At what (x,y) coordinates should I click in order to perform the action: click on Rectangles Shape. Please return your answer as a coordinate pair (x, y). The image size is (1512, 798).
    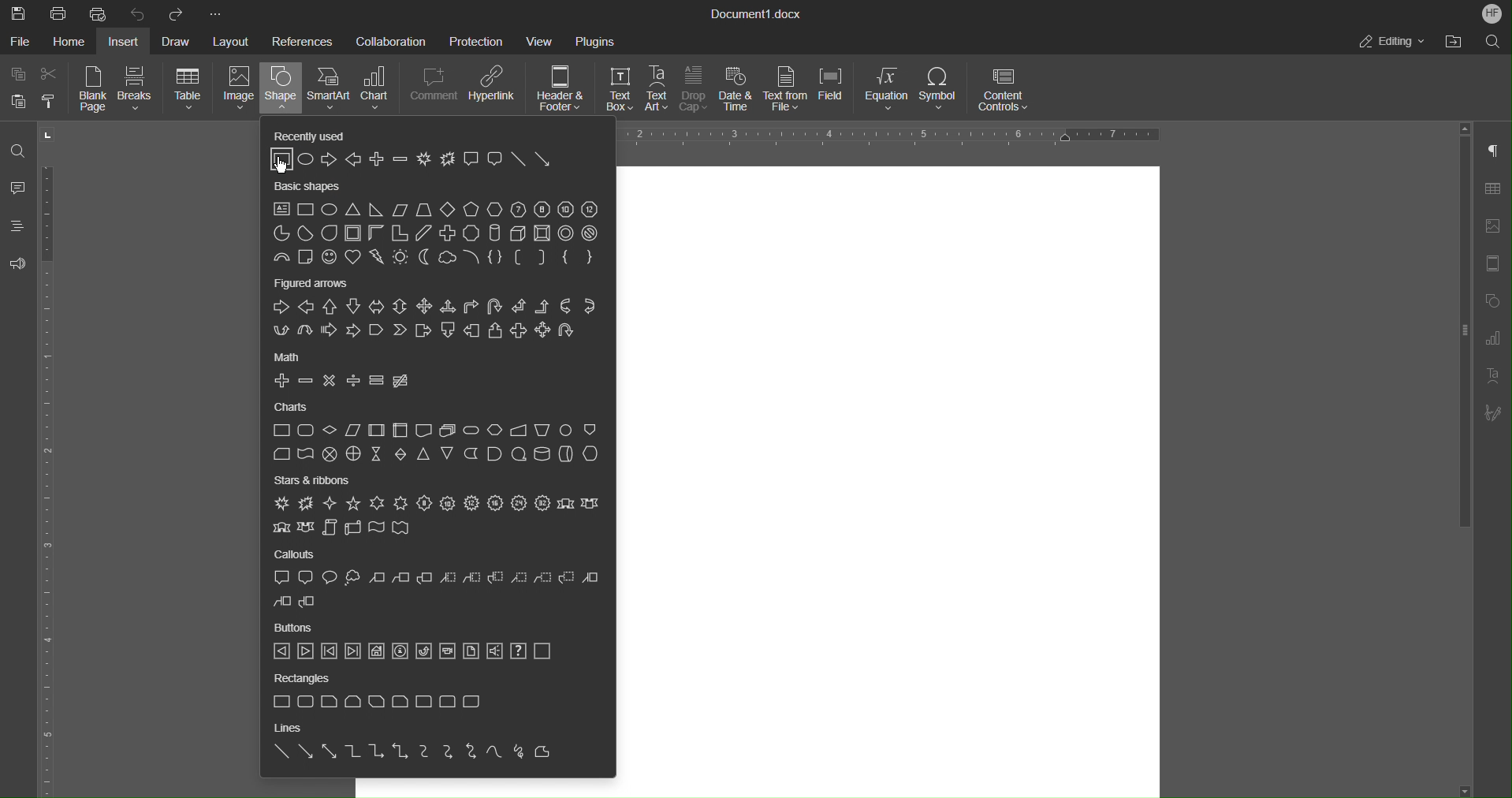
    Looking at the image, I should click on (374, 701).